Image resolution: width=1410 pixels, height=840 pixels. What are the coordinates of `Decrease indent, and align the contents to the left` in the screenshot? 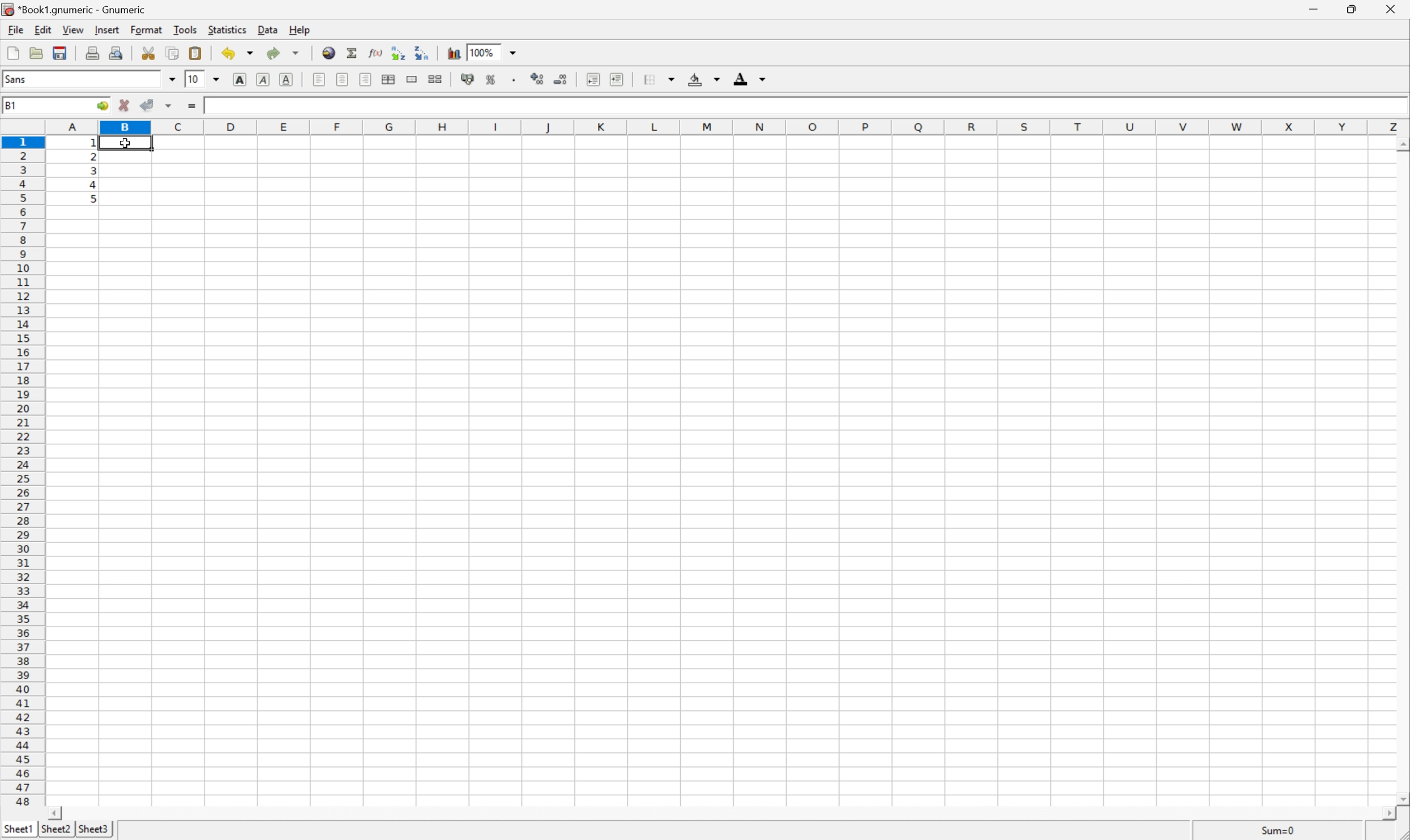 It's located at (593, 77).